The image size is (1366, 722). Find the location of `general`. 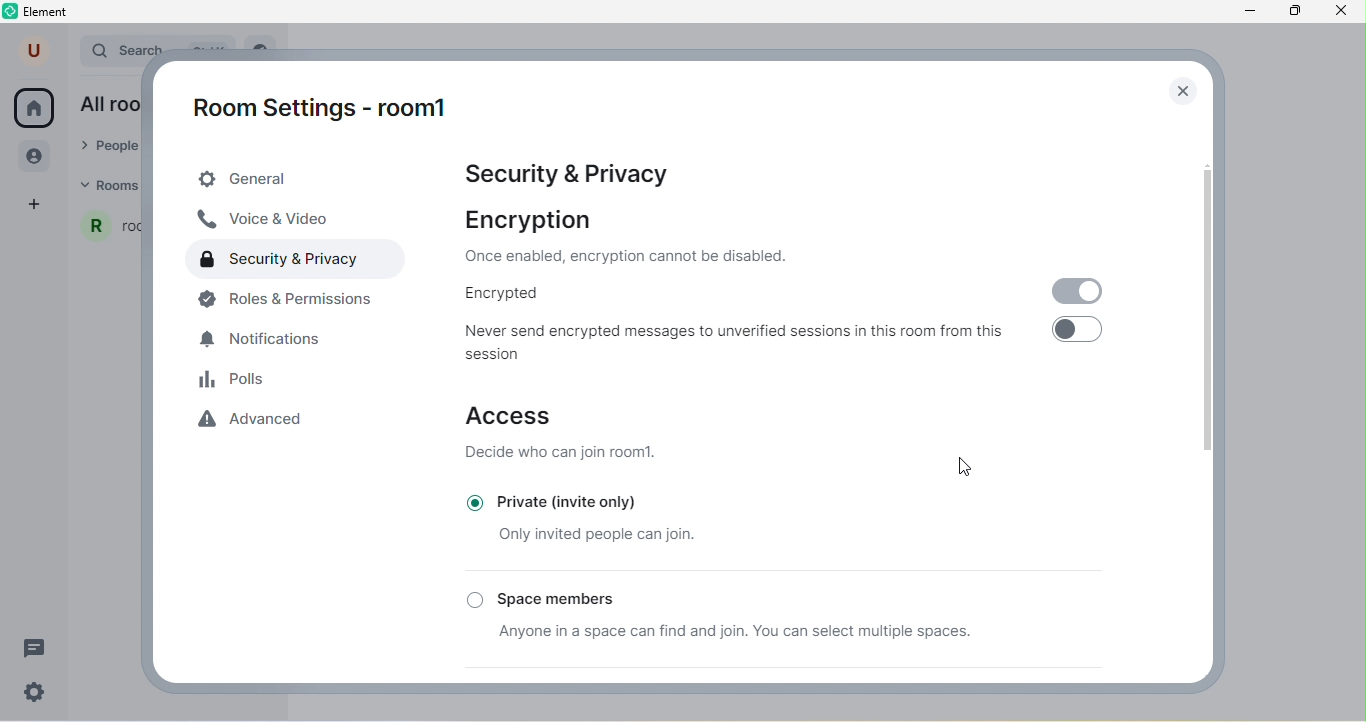

general is located at coordinates (301, 179).